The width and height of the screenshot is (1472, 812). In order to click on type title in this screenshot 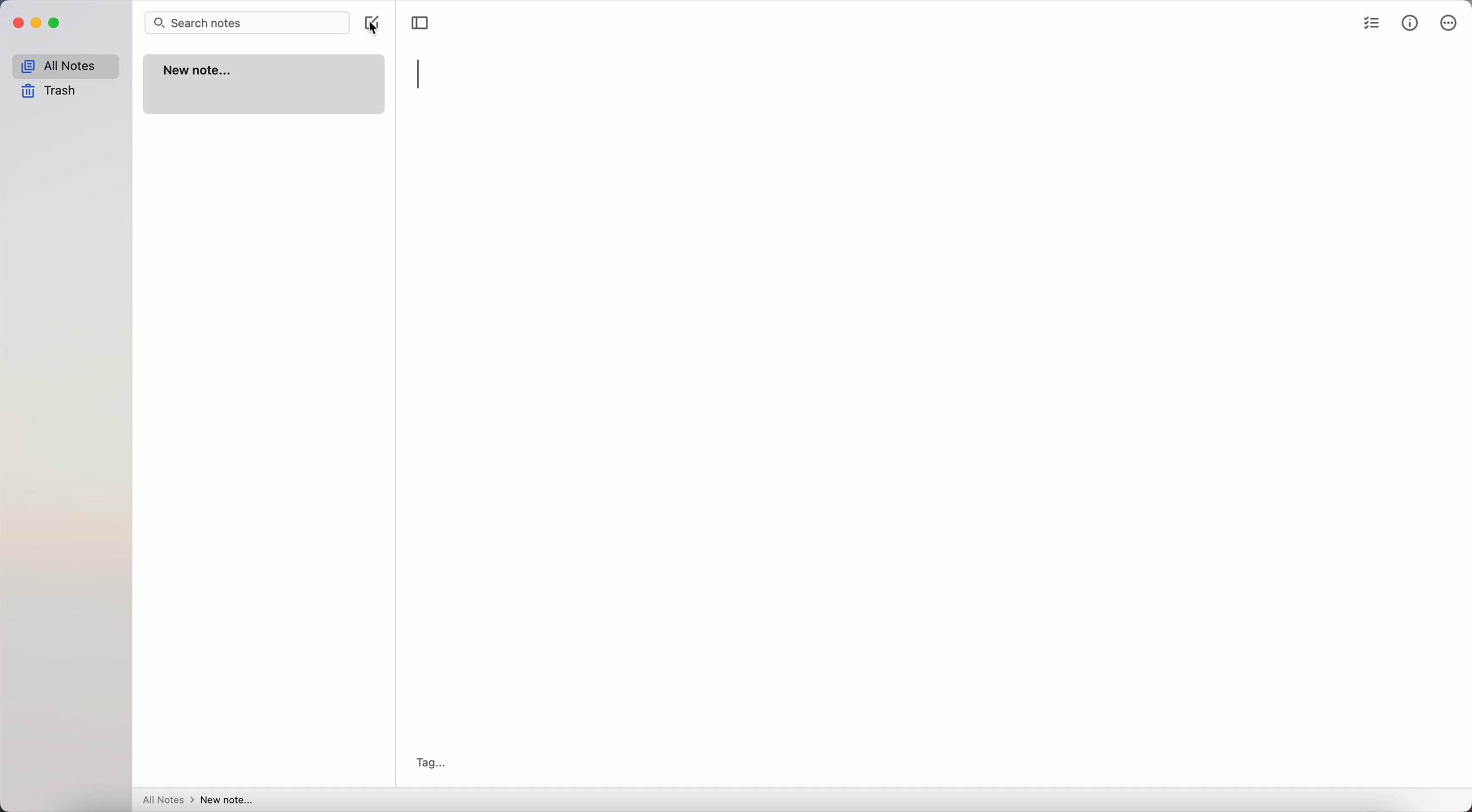, I will do `click(421, 75)`.